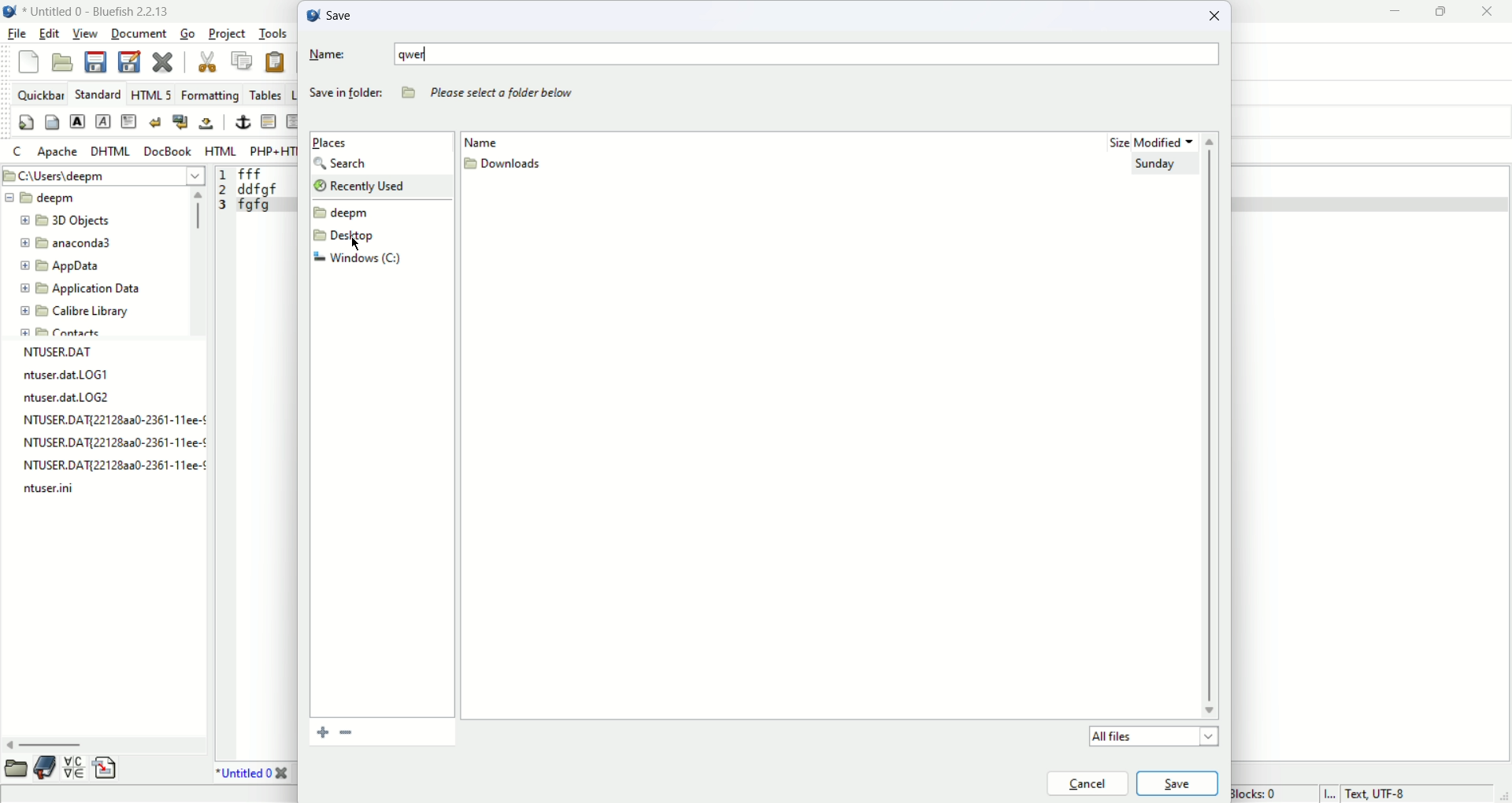 Image resolution: width=1512 pixels, height=803 pixels. Describe the element at coordinates (210, 94) in the screenshot. I see `formatting` at that location.